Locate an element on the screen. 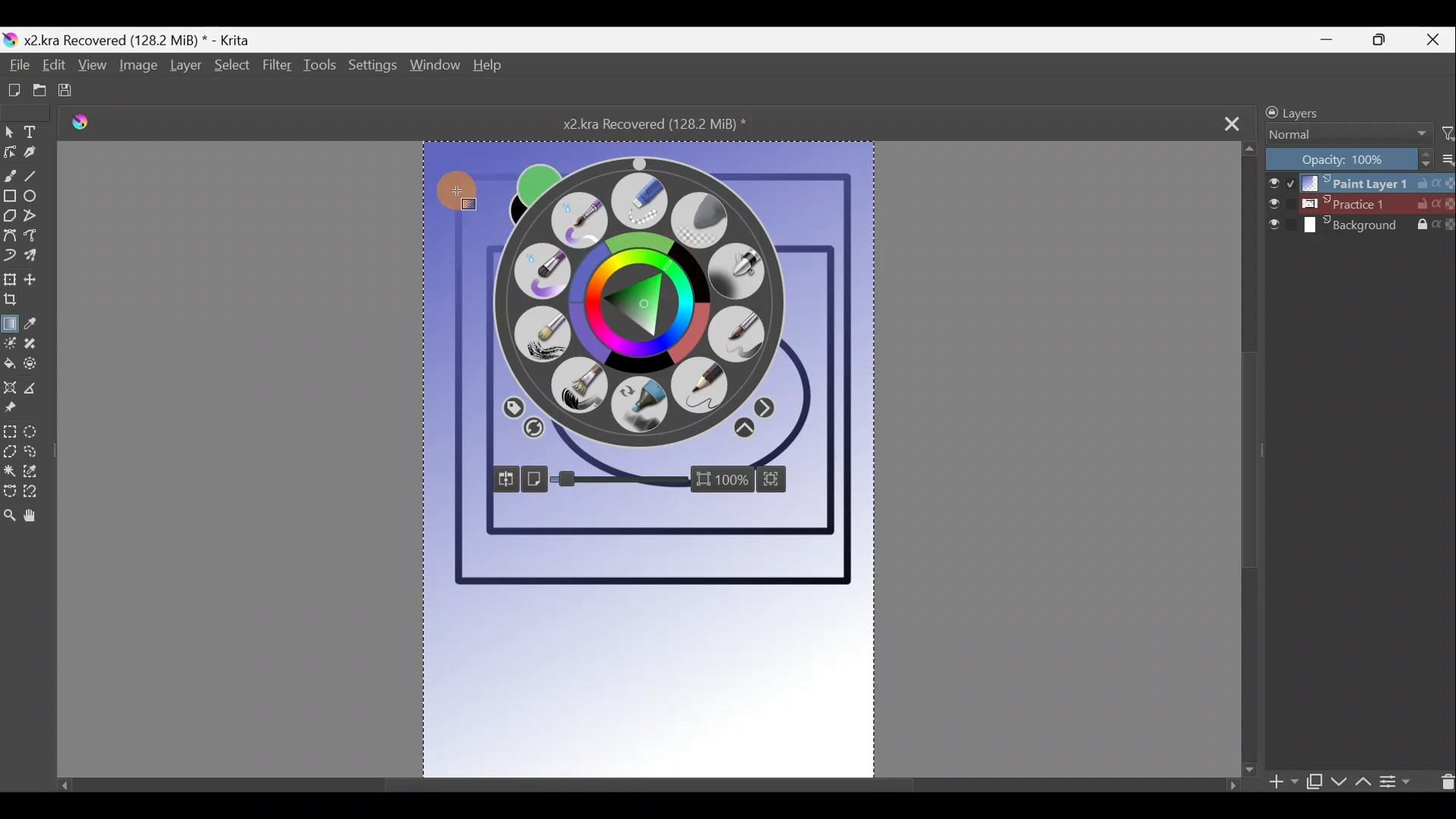 This screenshot has width=1456, height=819. Magnetic curve selection tool is located at coordinates (33, 498).